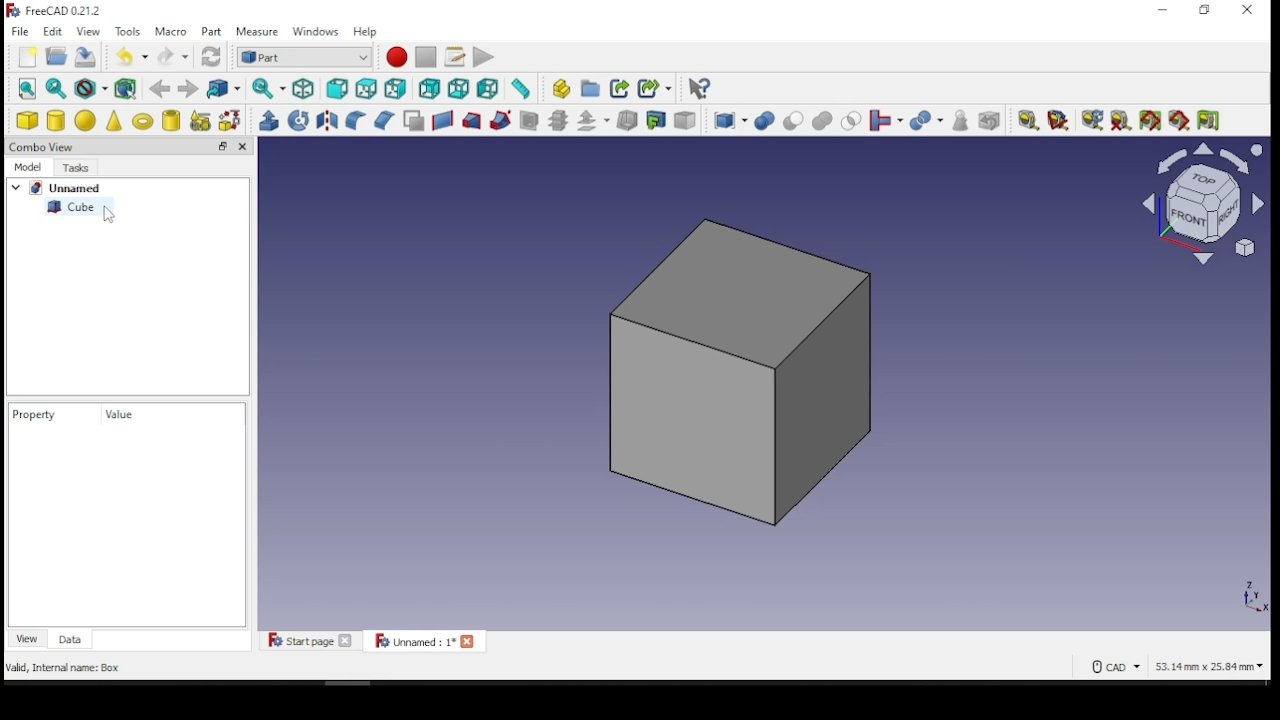 Image resolution: width=1280 pixels, height=720 pixels. I want to click on torus, so click(143, 119).